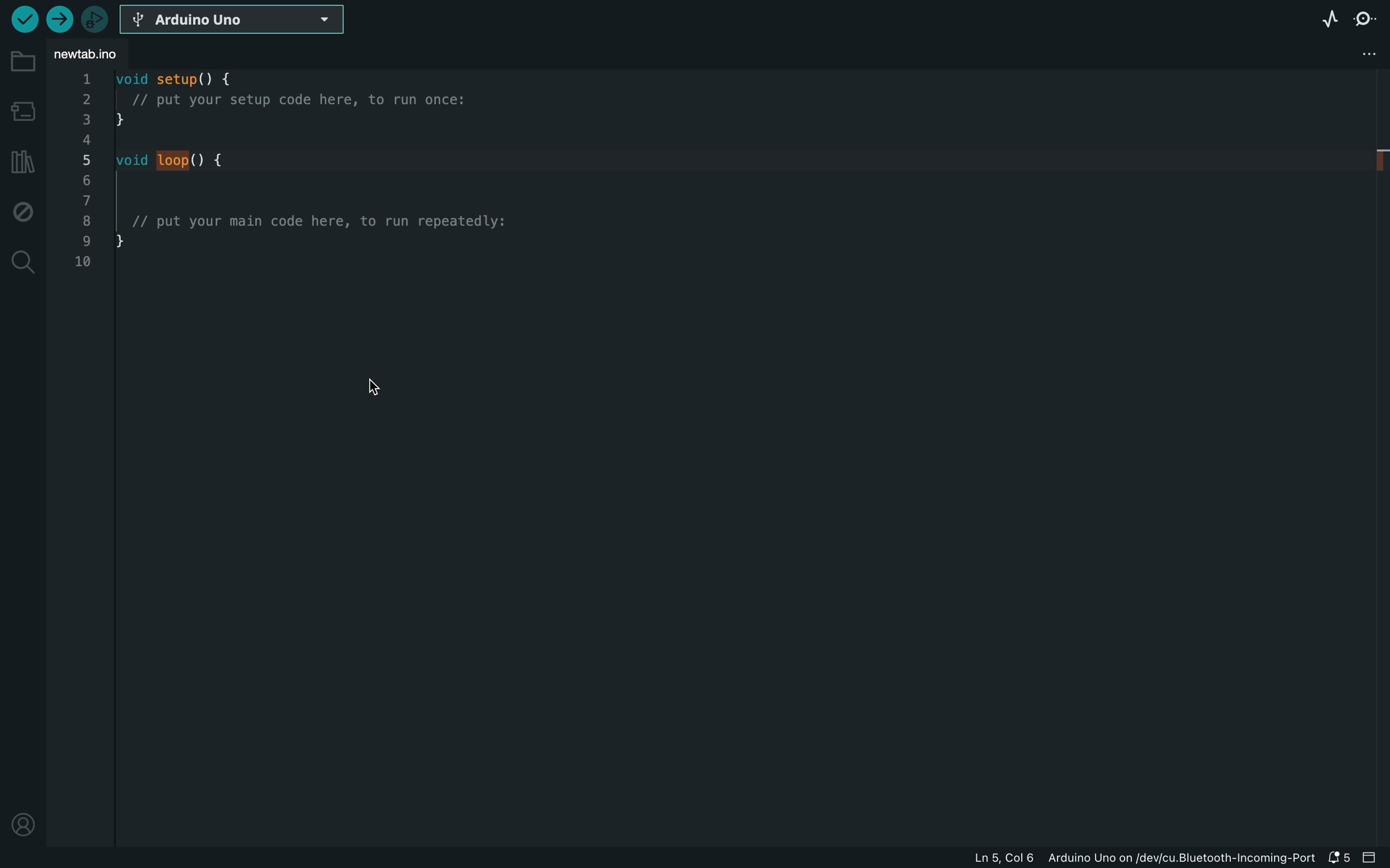 Image resolution: width=1390 pixels, height=868 pixels. What do you see at coordinates (61, 18) in the screenshot?
I see `upload` at bounding box center [61, 18].